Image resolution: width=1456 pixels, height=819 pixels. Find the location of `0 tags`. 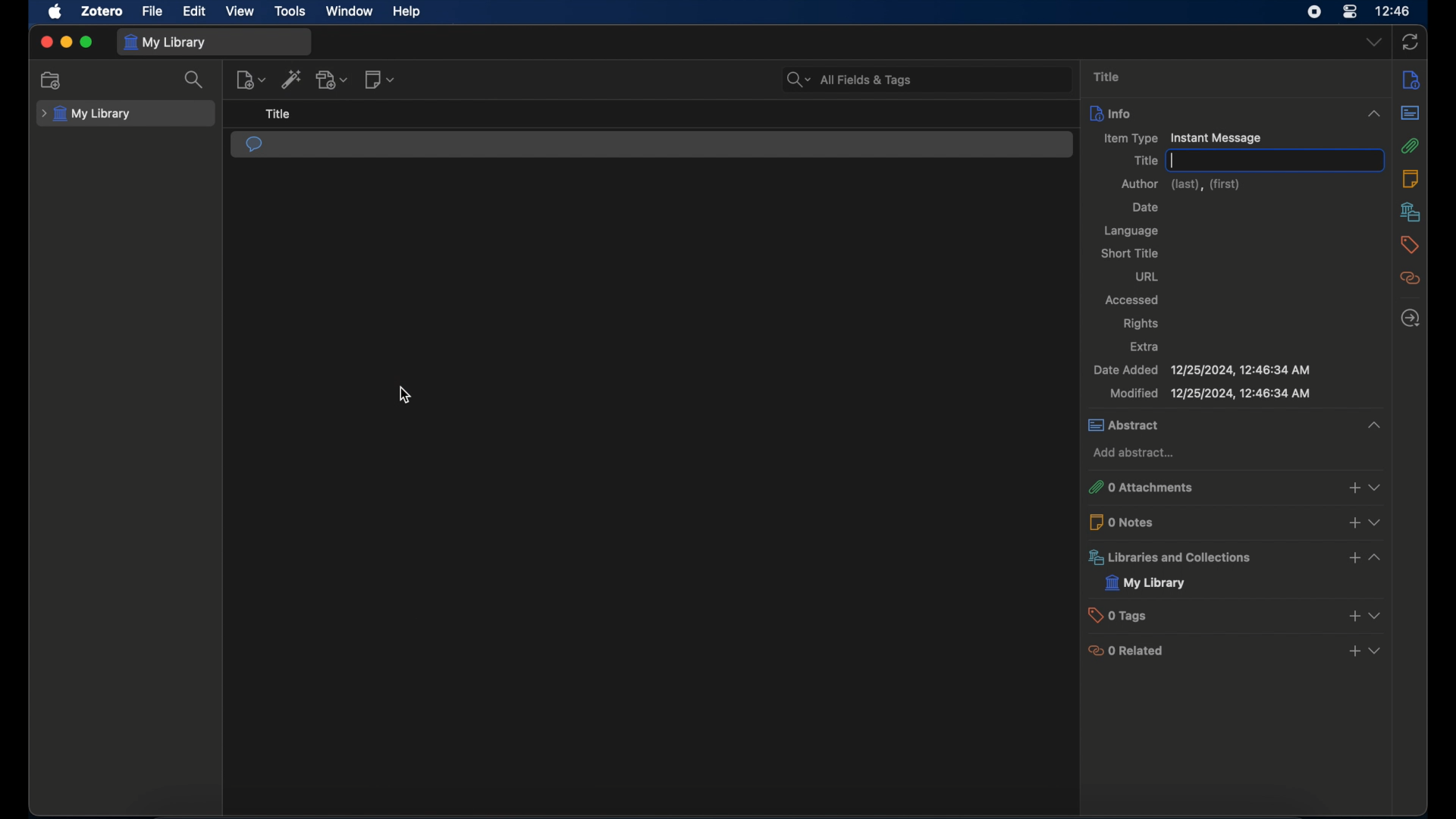

0 tags is located at coordinates (1232, 614).